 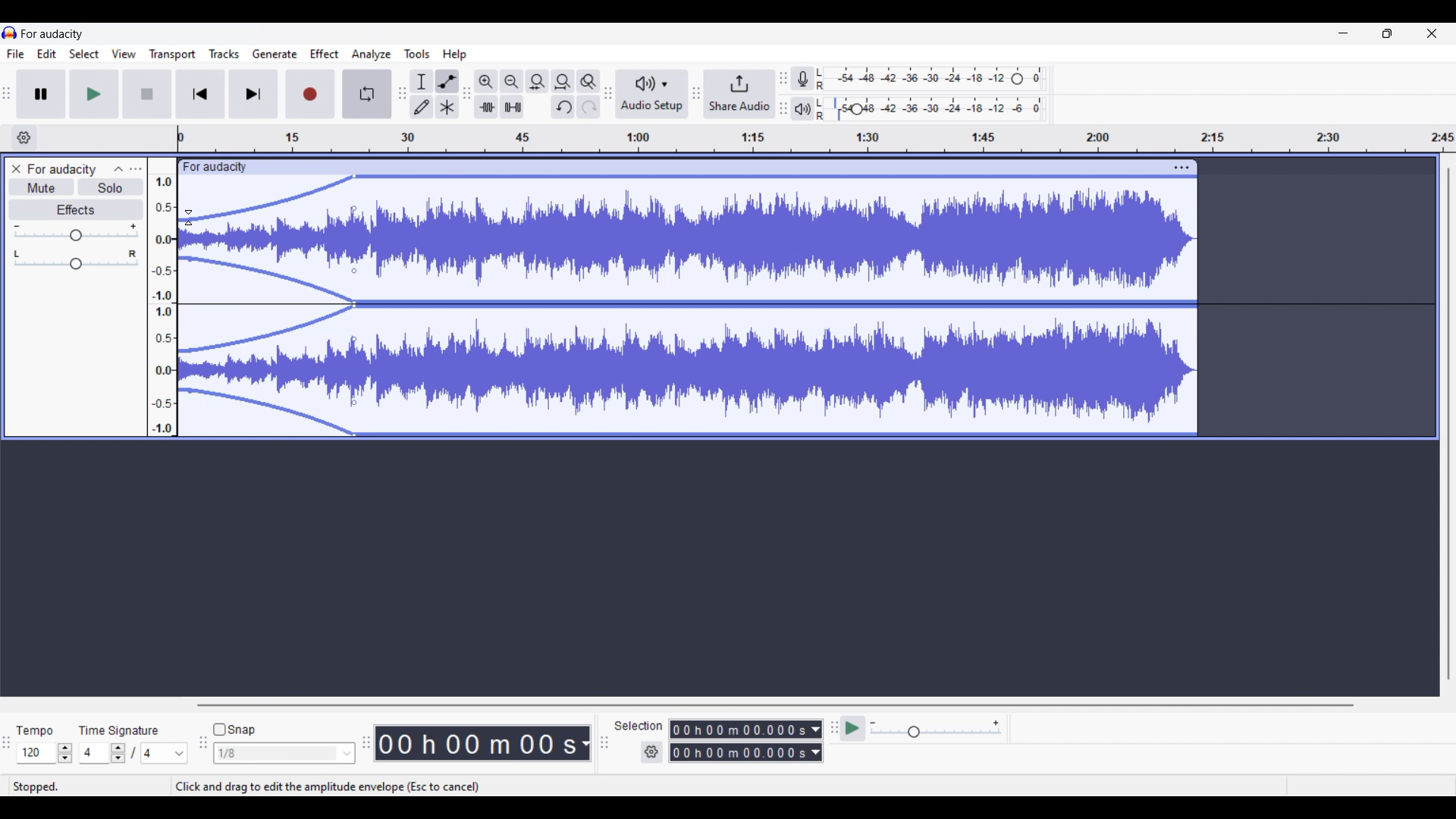 What do you see at coordinates (1388, 33) in the screenshot?
I see `Show in smaller tab` at bounding box center [1388, 33].